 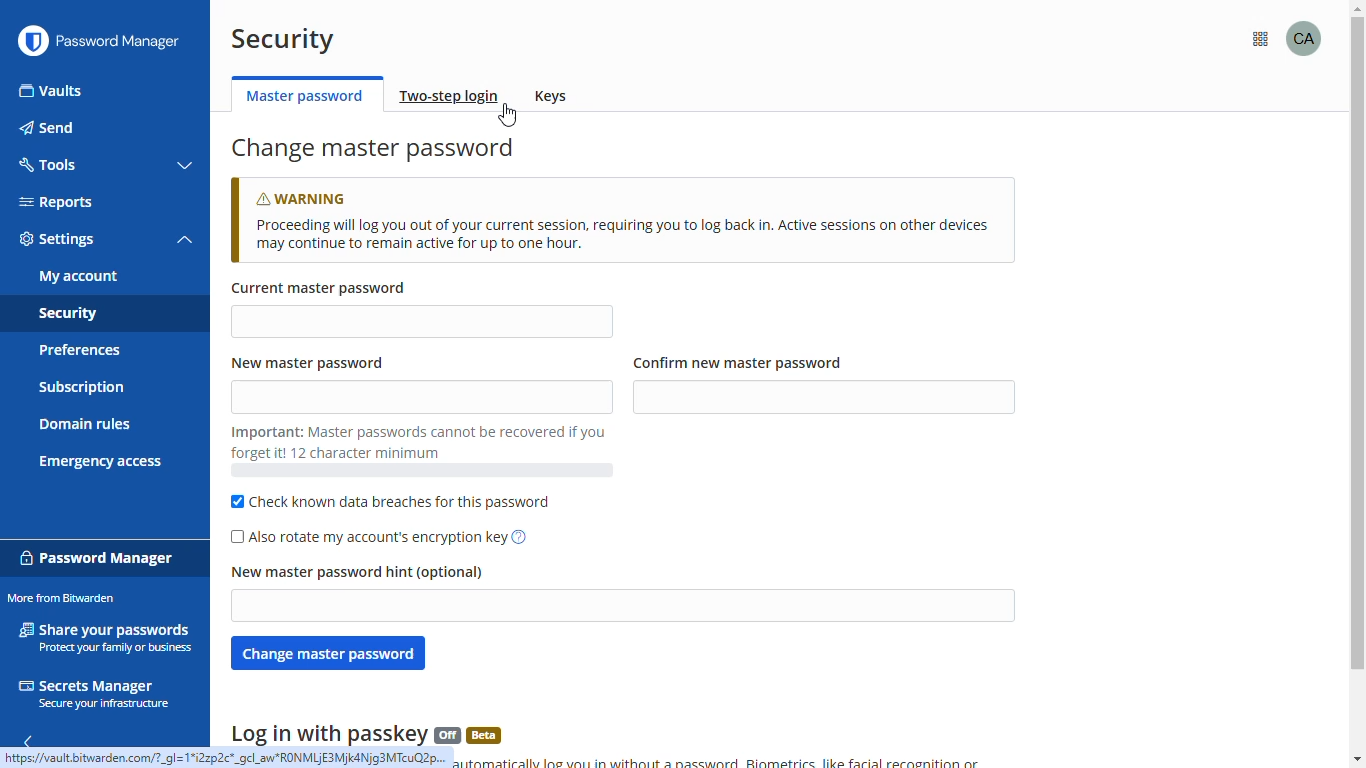 I want to click on toggle collapse, so click(x=185, y=241).